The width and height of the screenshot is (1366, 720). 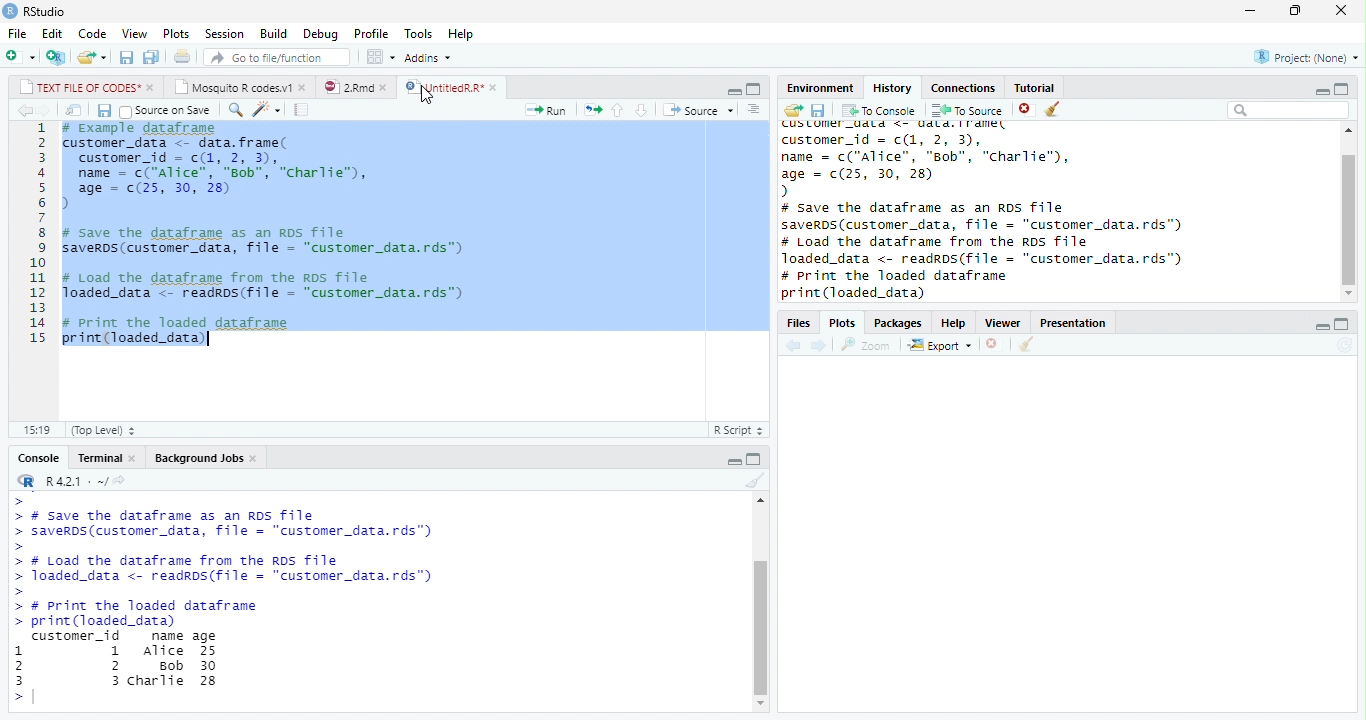 What do you see at coordinates (46, 111) in the screenshot?
I see `forward` at bounding box center [46, 111].